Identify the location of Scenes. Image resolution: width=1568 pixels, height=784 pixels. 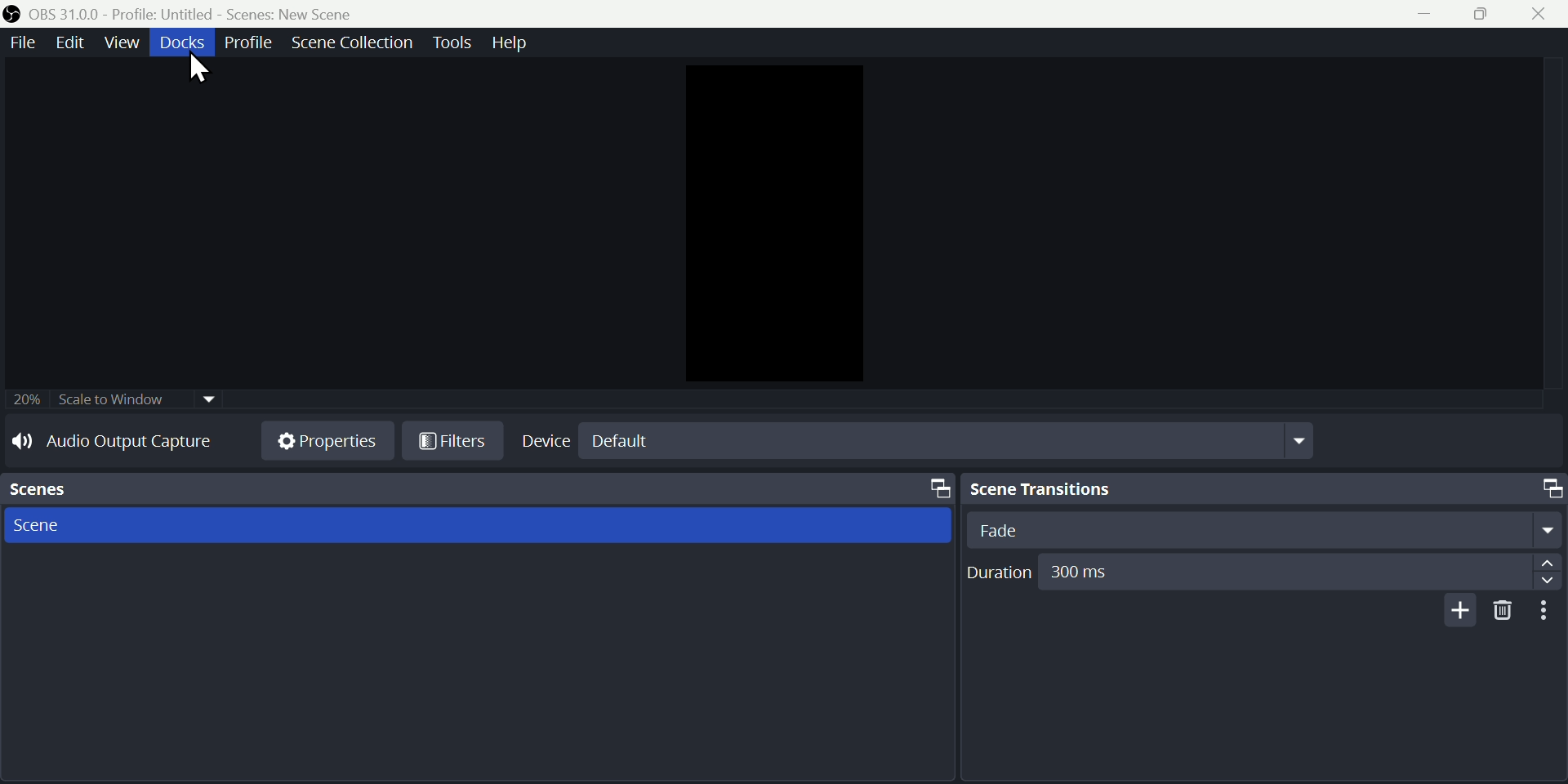
(476, 490).